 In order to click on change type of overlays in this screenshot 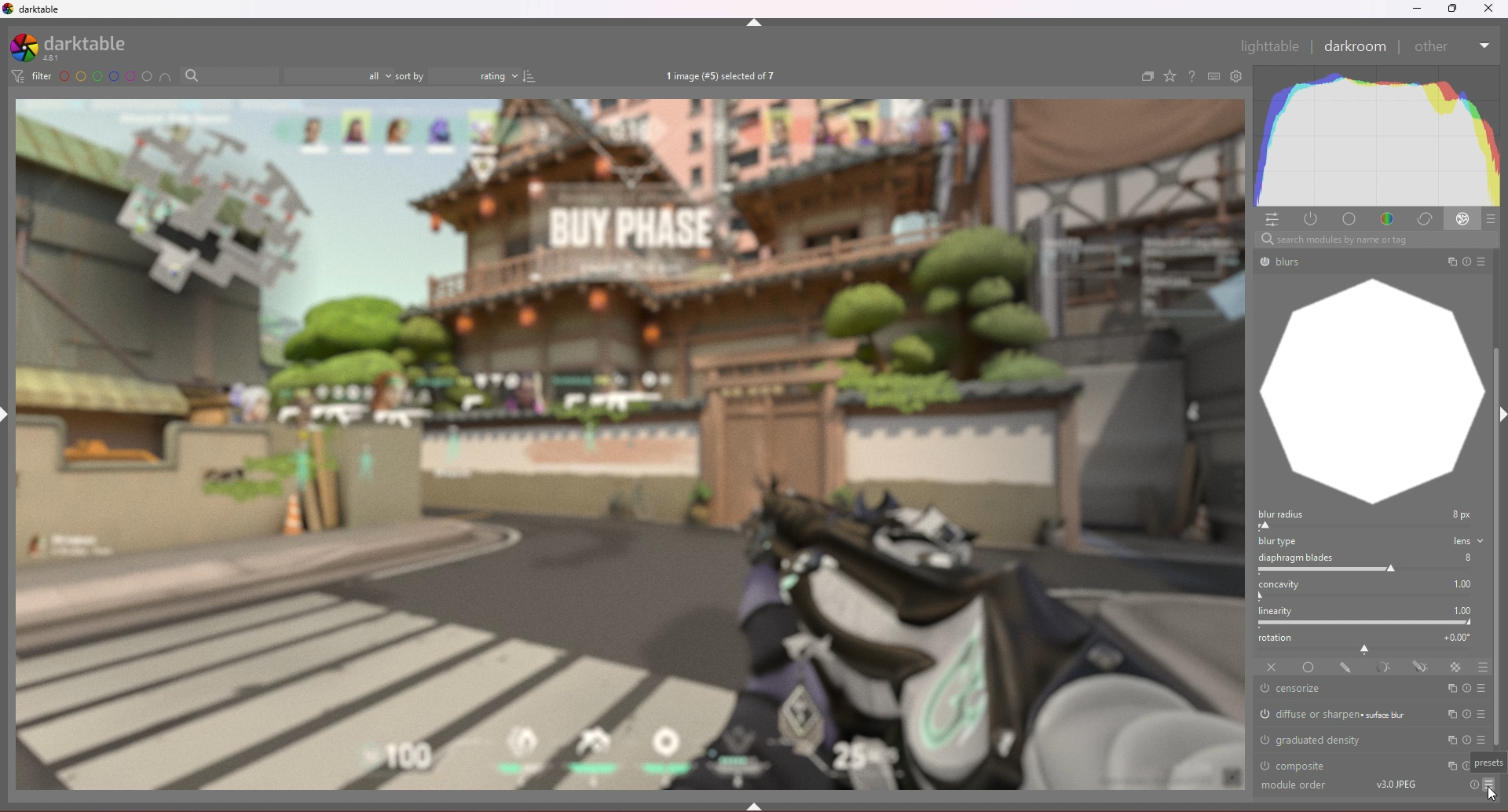, I will do `click(1171, 75)`.